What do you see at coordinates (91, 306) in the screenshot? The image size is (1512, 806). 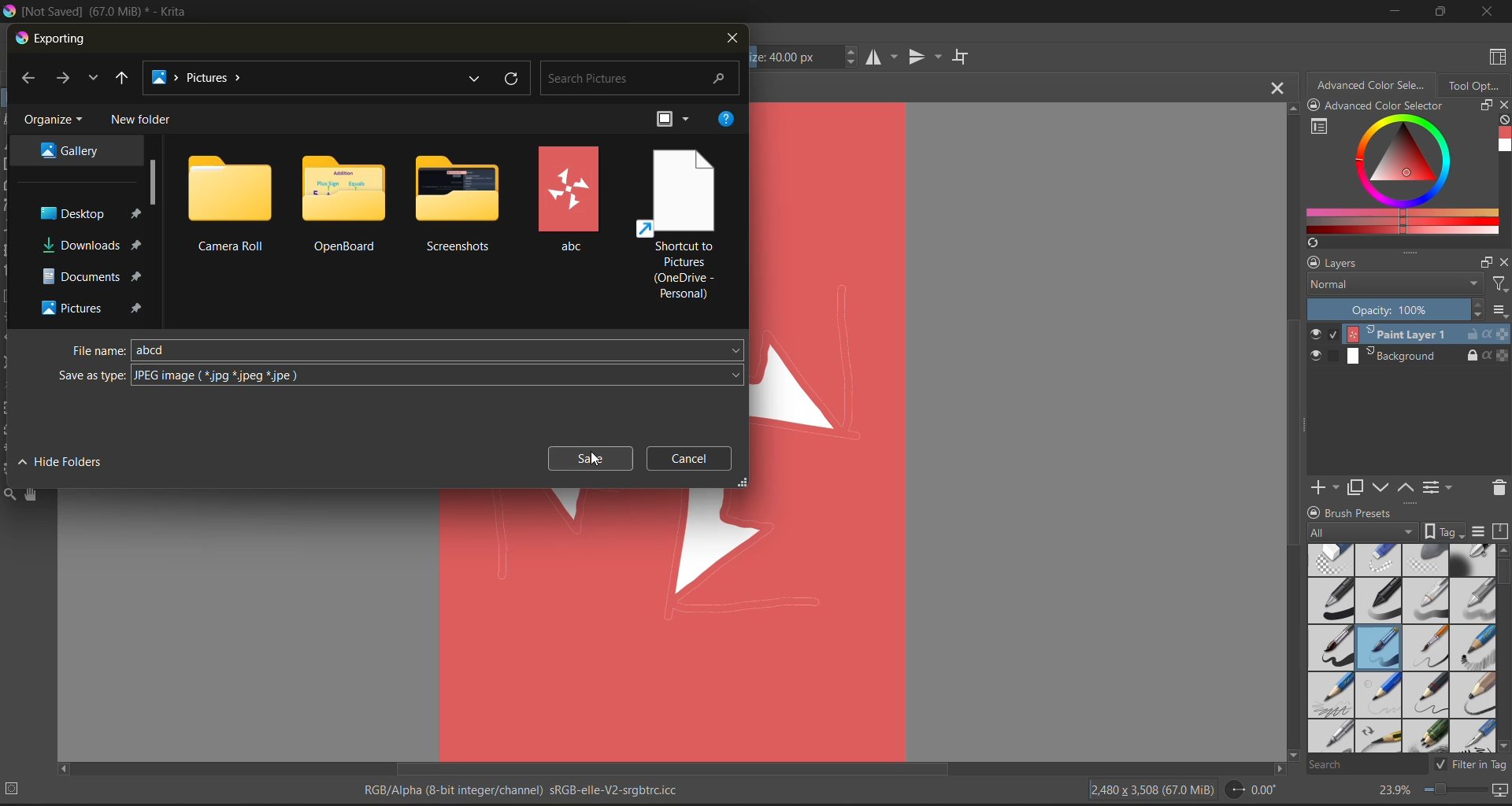 I see `file destination` at bounding box center [91, 306].